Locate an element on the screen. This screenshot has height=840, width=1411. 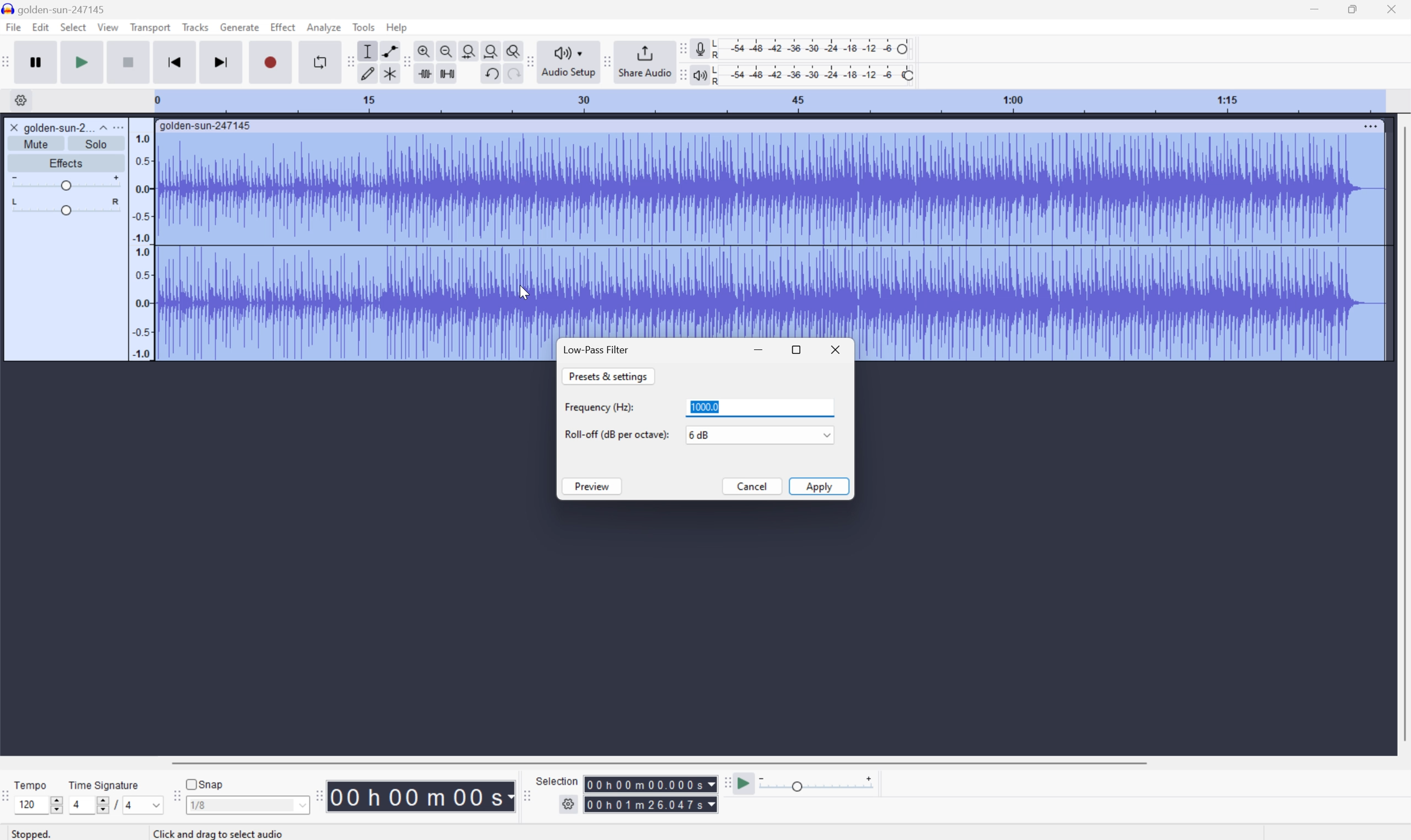
Zoom toggle is located at coordinates (509, 49).